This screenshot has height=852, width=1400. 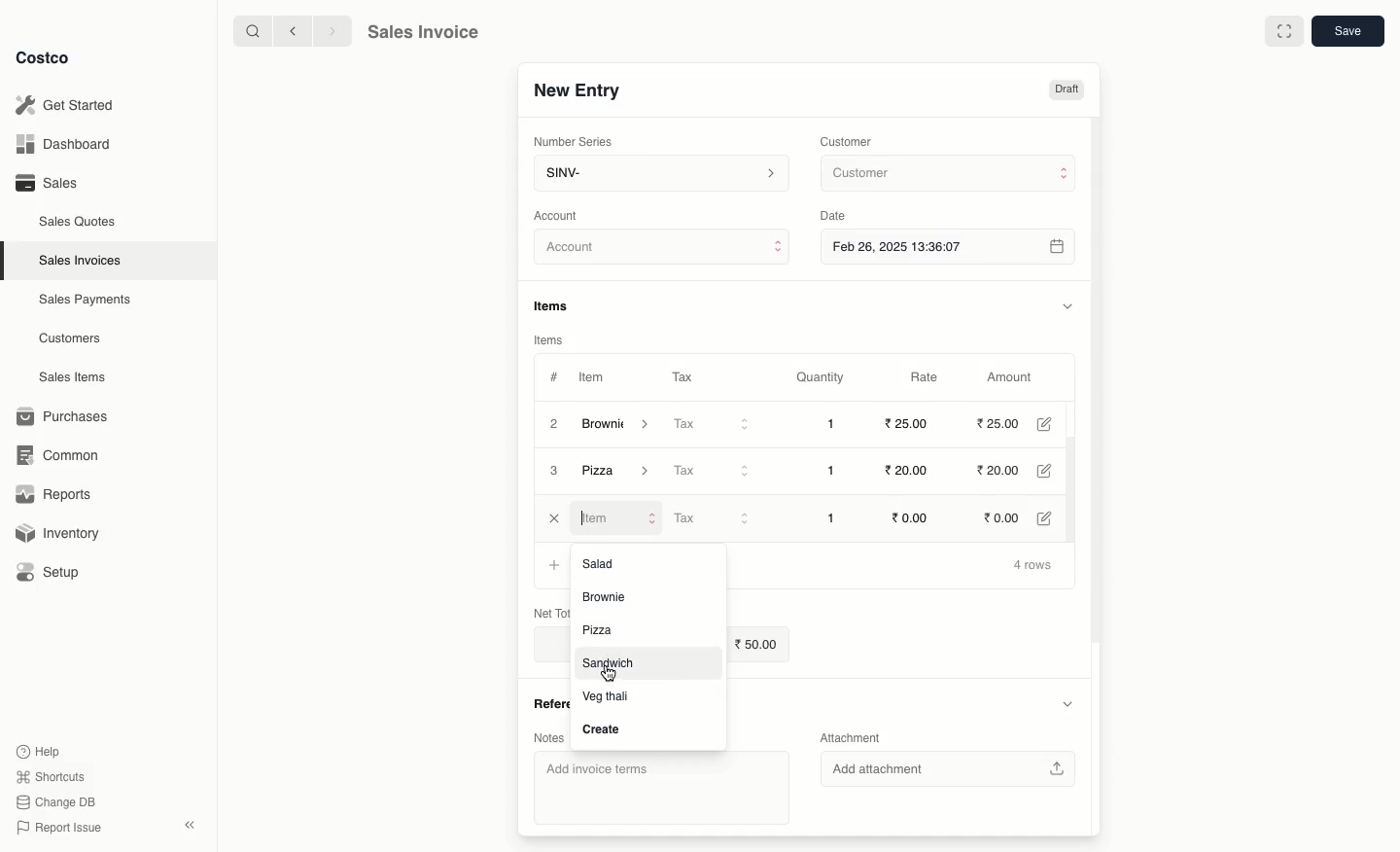 What do you see at coordinates (48, 58) in the screenshot?
I see `Costco` at bounding box center [48, 58].